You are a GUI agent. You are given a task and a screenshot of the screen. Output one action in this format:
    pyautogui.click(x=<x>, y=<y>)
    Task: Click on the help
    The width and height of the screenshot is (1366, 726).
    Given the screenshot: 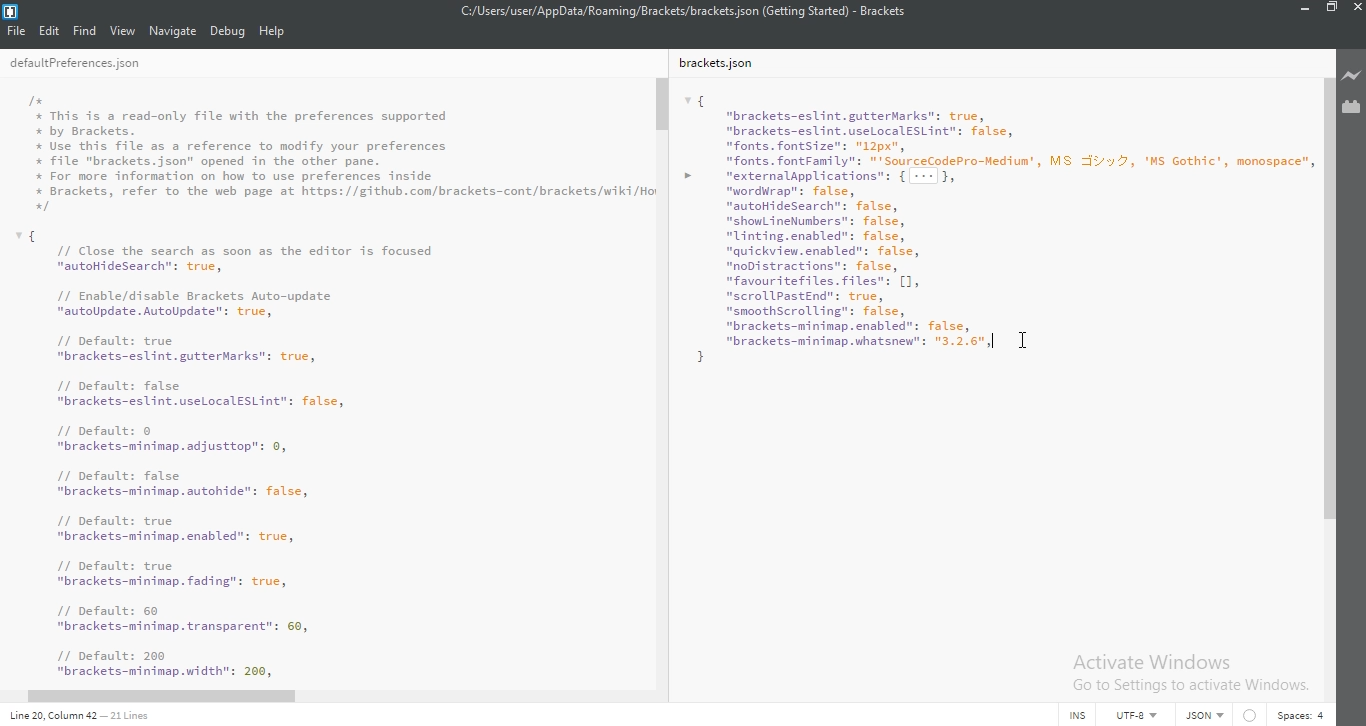 What is the action you would take?
    pyautogui.click(x=272, y=32)
    